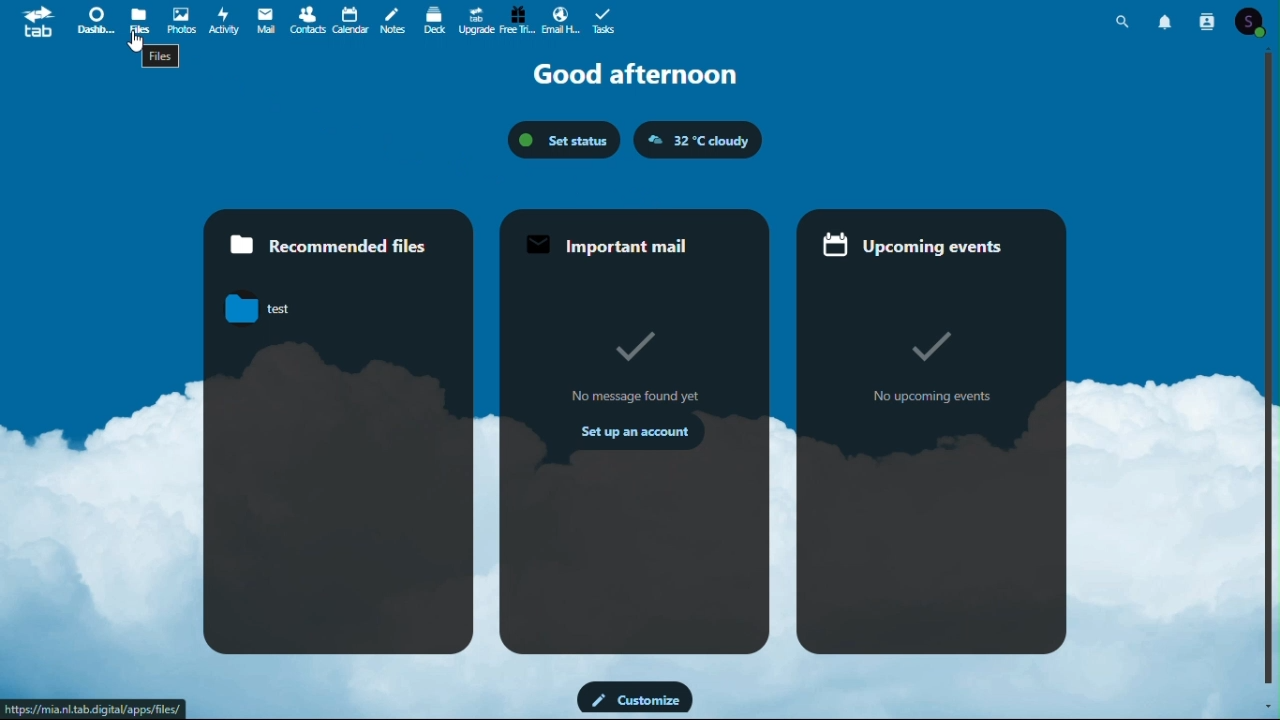  Describe the element at coordinates (517, 20) in the screenshot. I see `free trial` at that location.